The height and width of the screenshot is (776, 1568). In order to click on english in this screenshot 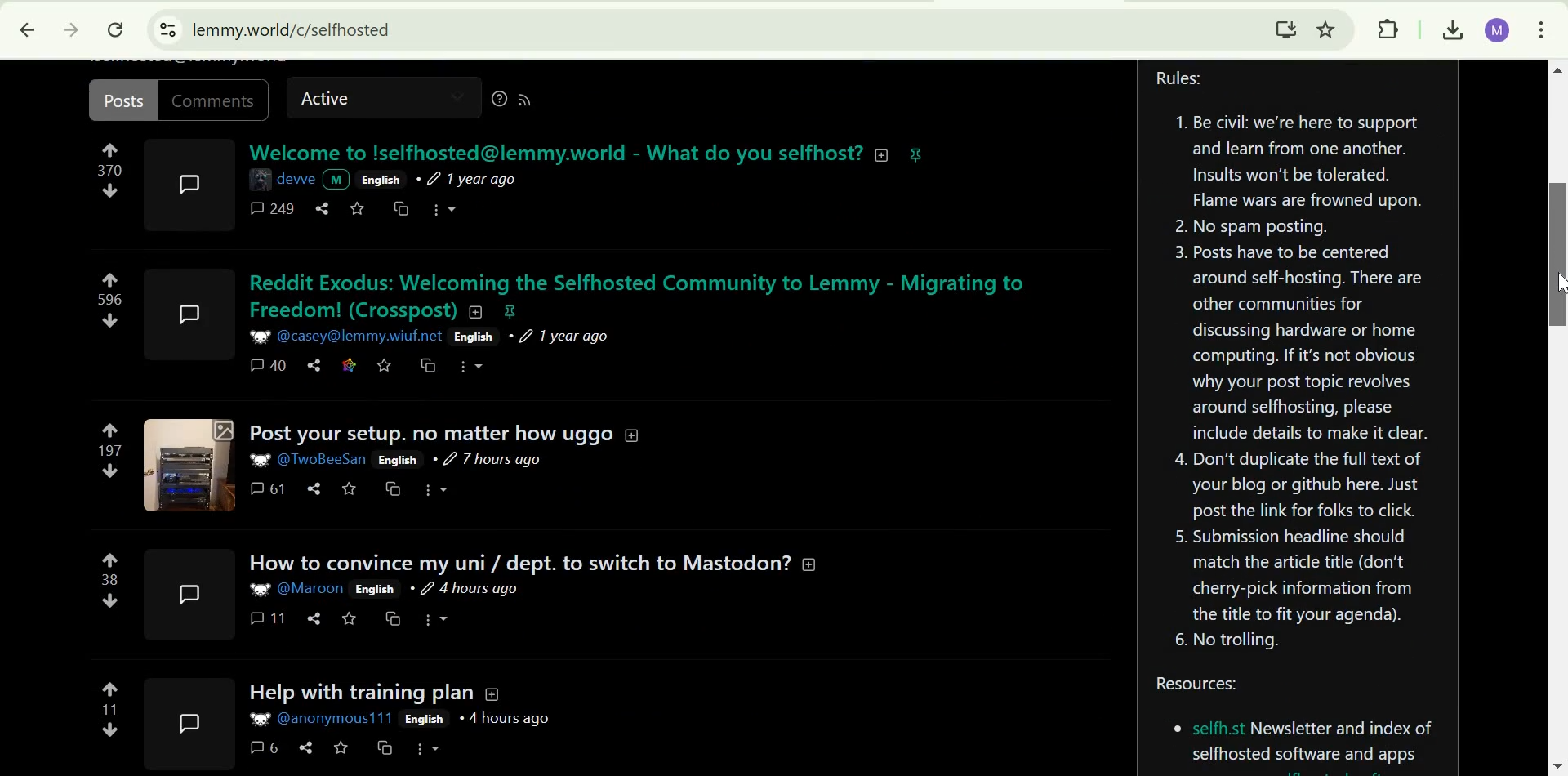, I will do `click(381, 179)`.